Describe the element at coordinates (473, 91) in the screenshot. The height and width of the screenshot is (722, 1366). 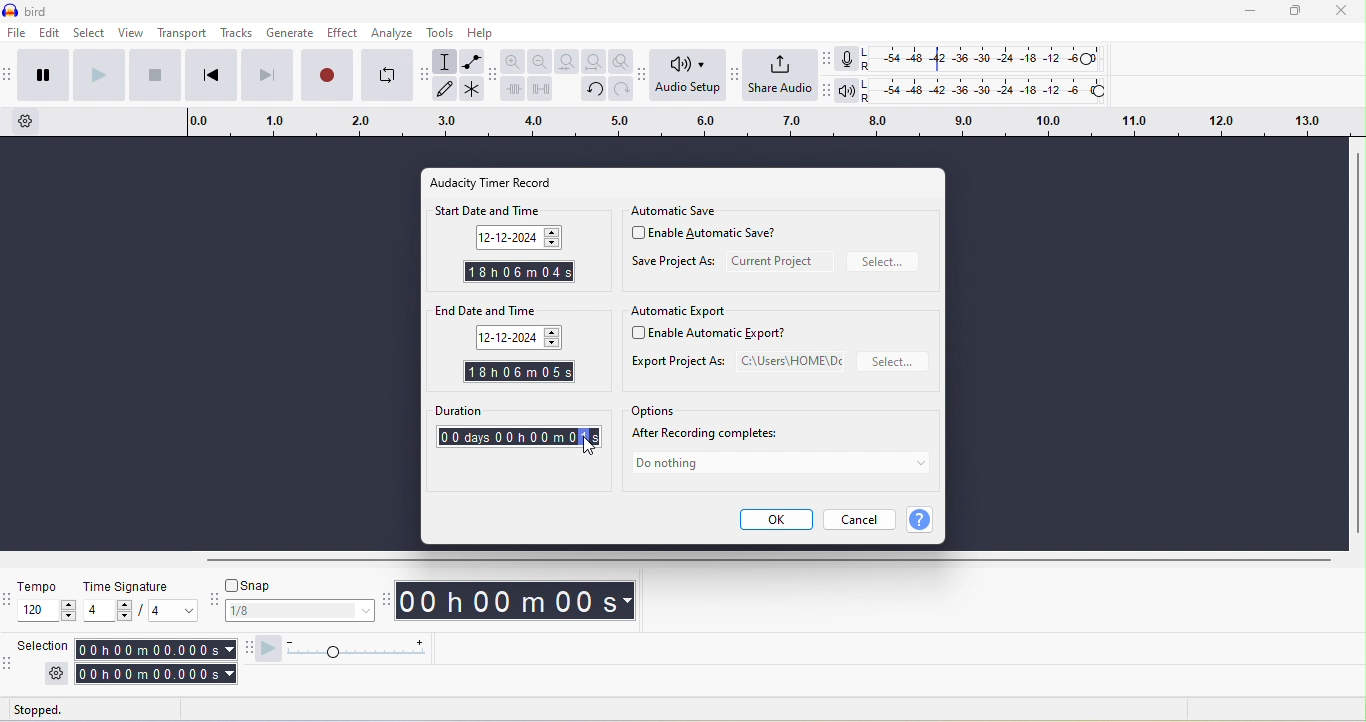
I see `multi tool` at that location.